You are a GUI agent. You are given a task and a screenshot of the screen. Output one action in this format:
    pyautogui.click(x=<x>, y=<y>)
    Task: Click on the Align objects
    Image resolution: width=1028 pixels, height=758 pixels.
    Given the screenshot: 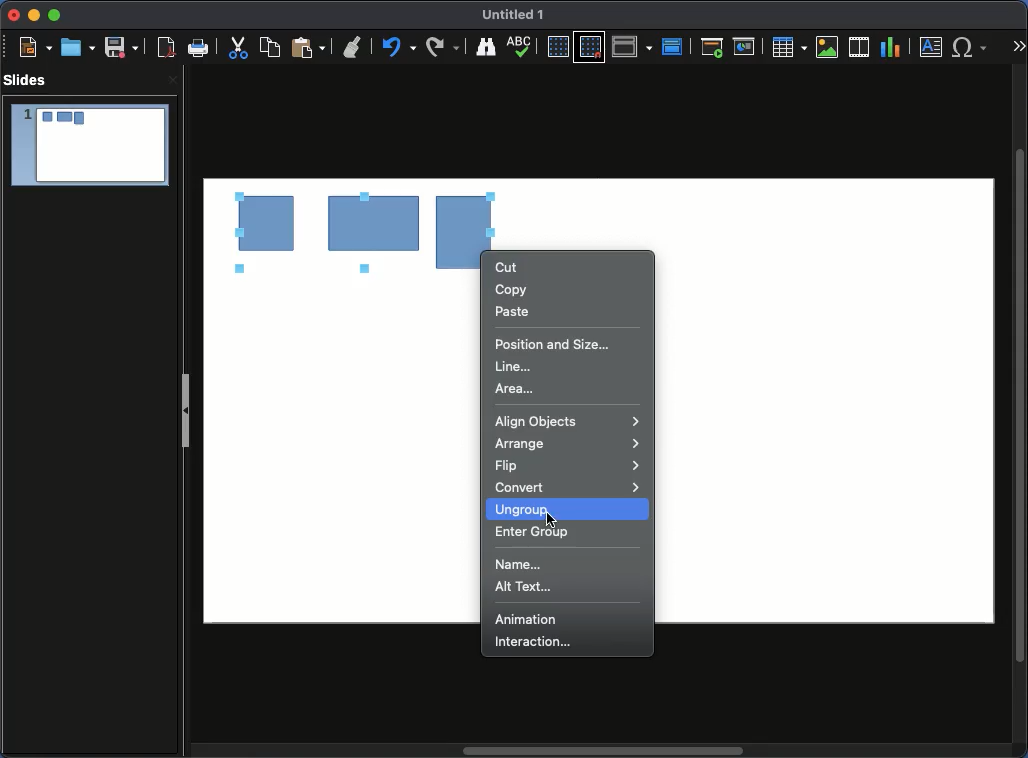 What is the action you would take?
    pyautogui.click(x=567, y=422)
    